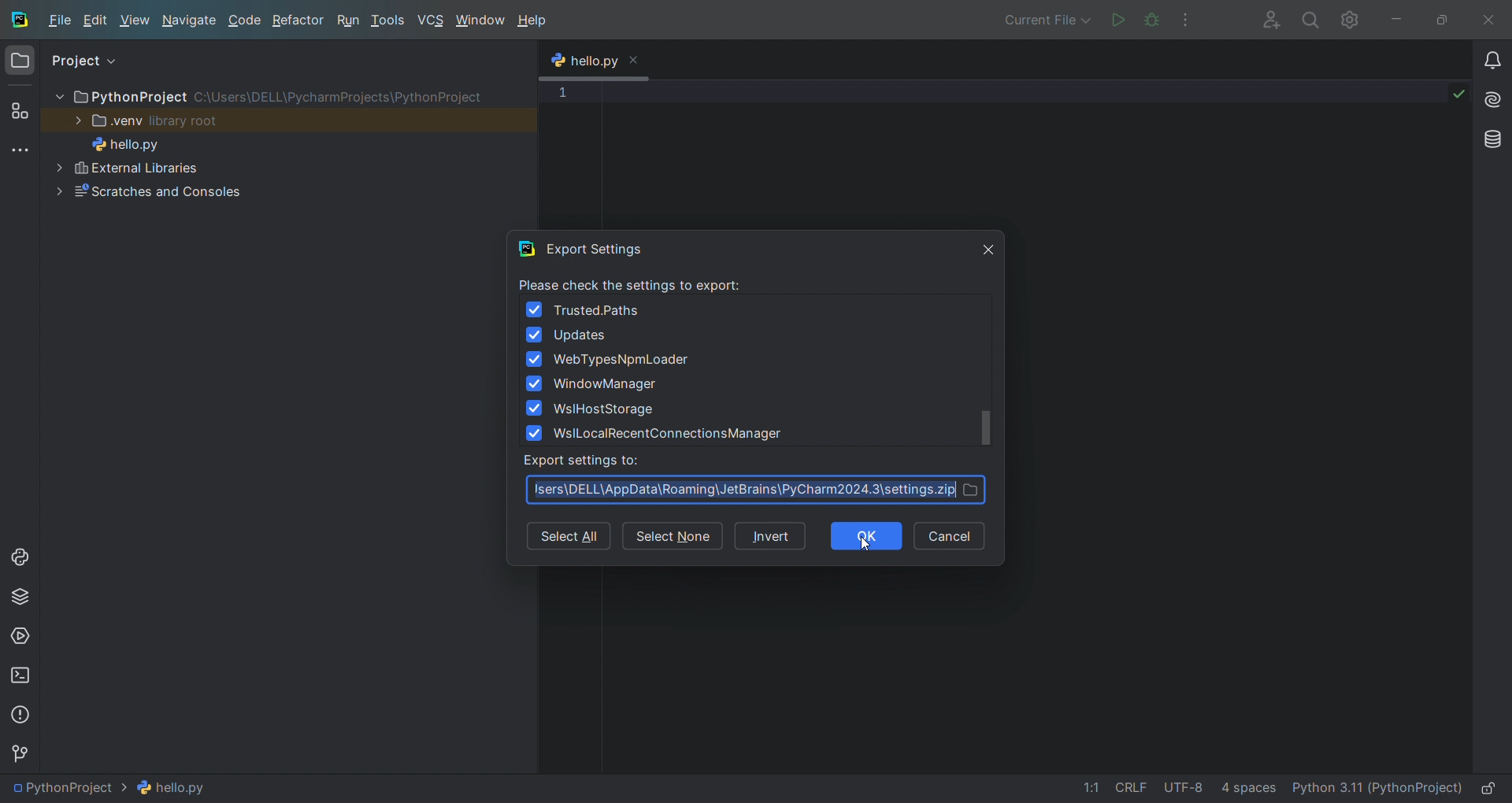 The width and height of the screenshot is (1512, 803). Describe the element at coordinates (772, 535) in the screenshot. I see `invert` at that location.